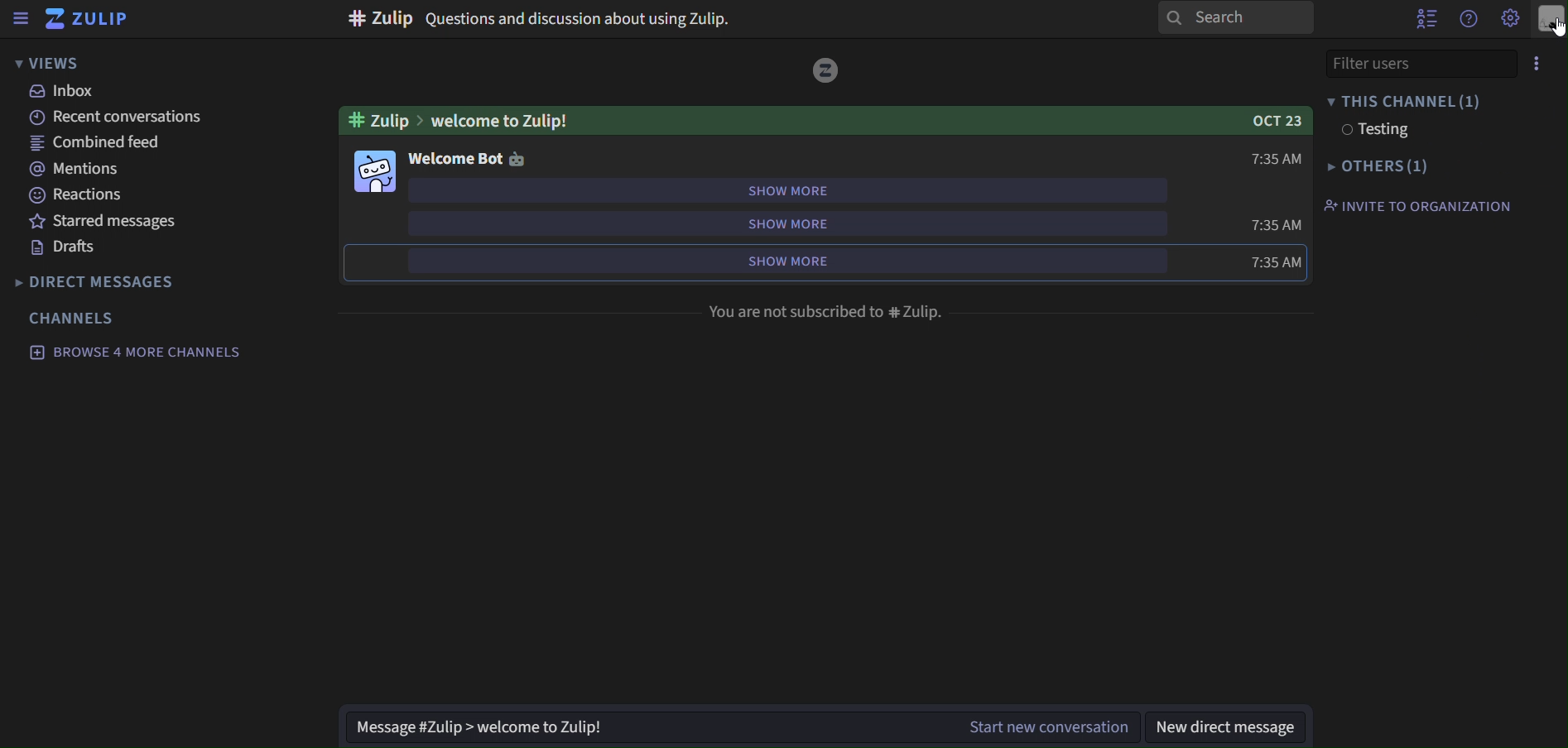 Image resolution: width=1568 pixels, height=748 pixels. What do you see at coordinates (135, 351) in the screenshot?
I see `browse 4 more channels` at bounding box center [135, 351].